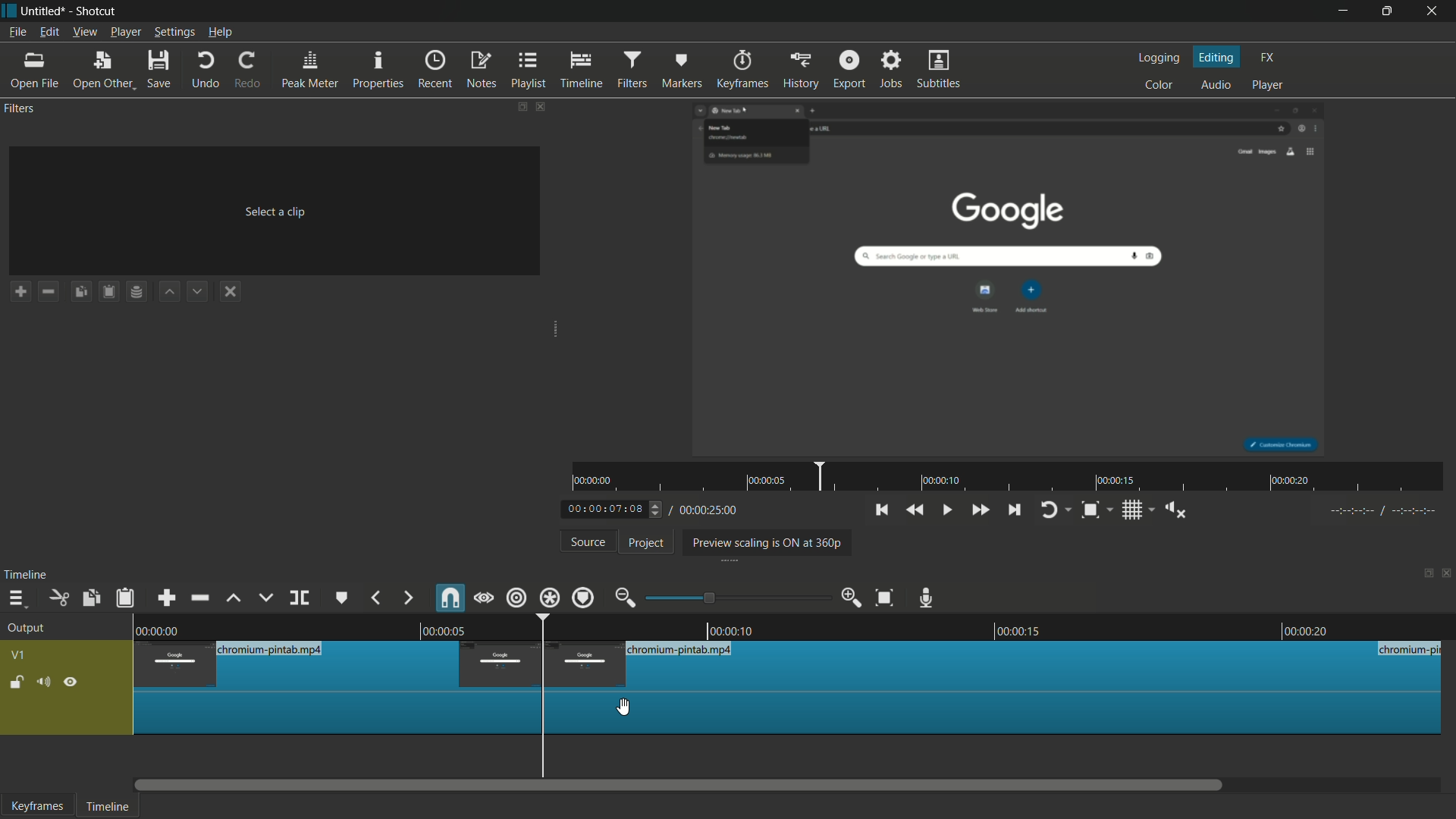 The width and height of the screenshot is (1456, 819). I want to click on cut, so click(58, 599).